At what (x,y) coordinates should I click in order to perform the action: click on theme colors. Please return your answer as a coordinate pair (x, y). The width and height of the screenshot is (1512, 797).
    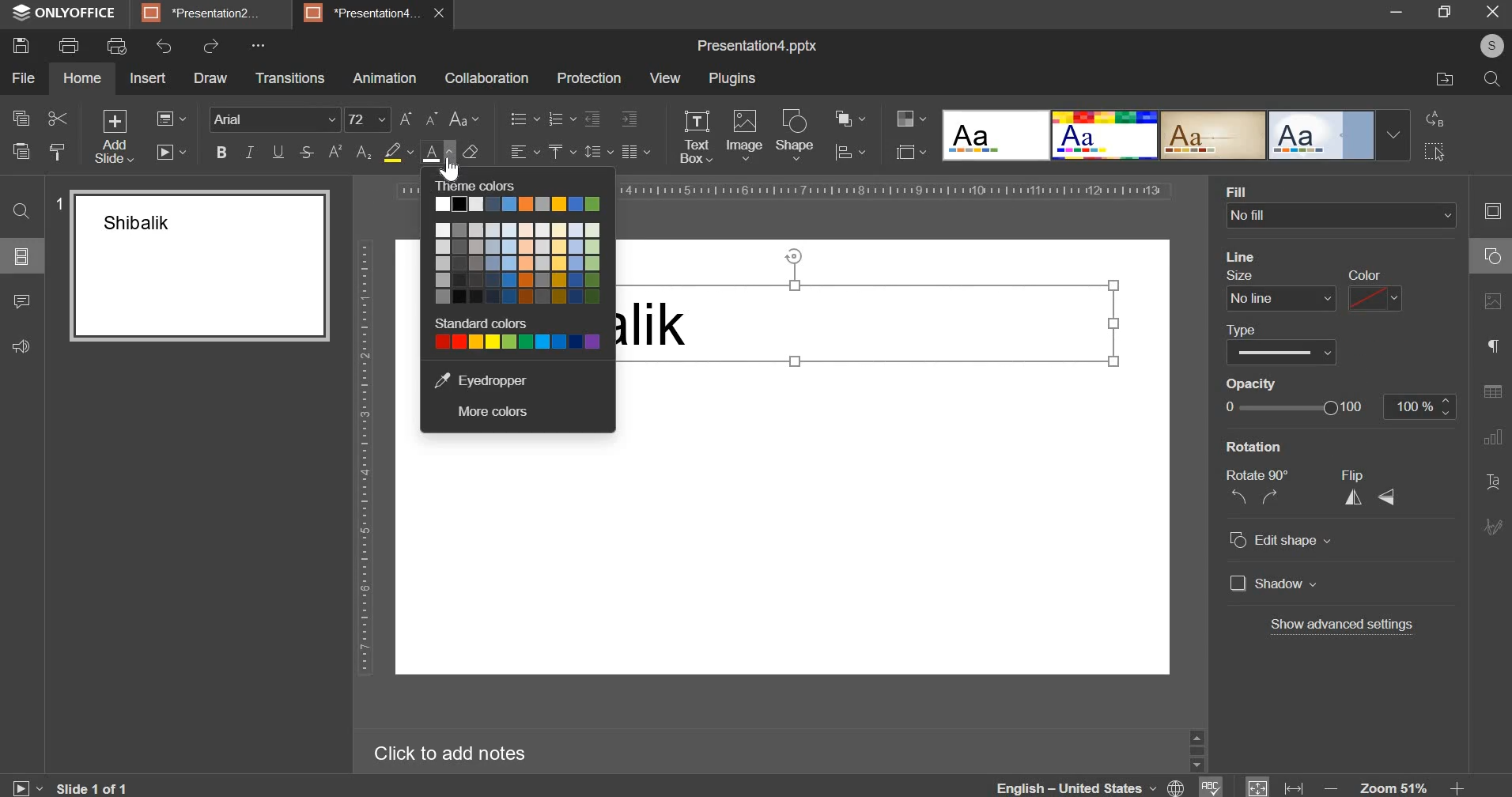
    Looking at the image, I should click on (486, 185).